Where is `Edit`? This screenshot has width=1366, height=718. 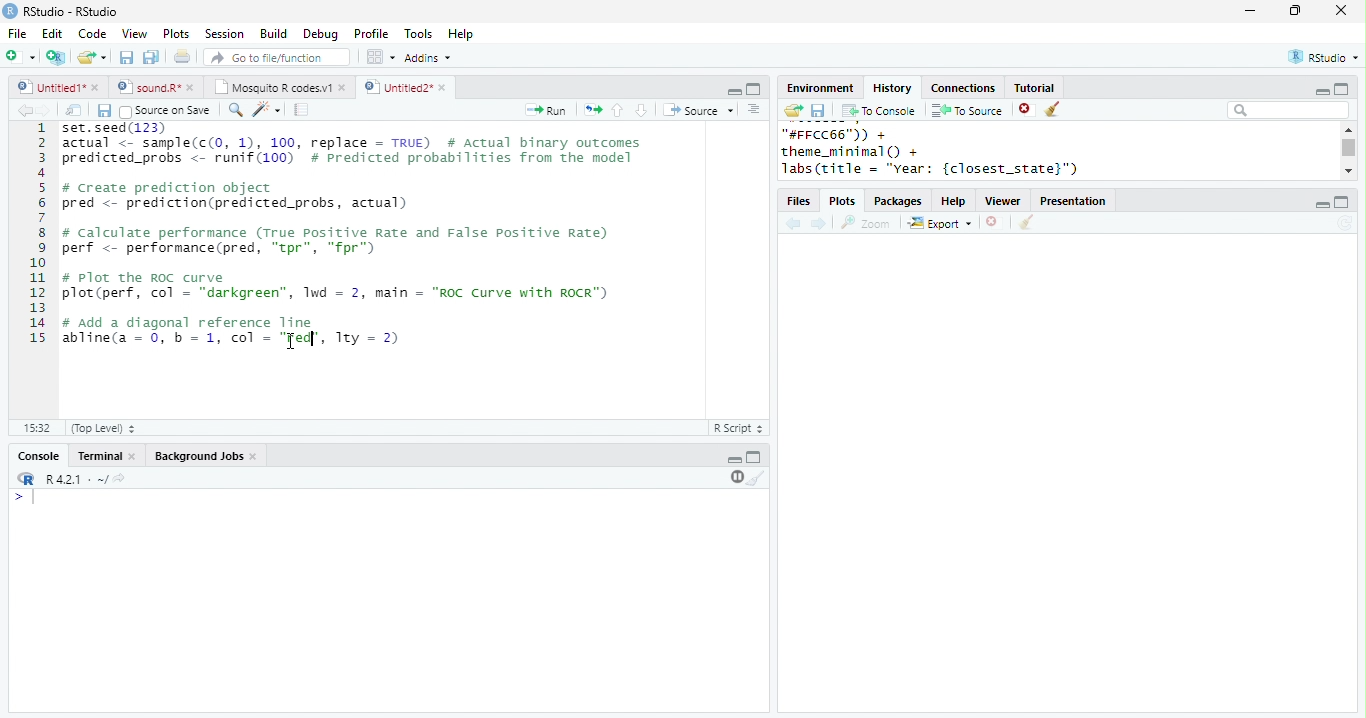 Edit is located at coordinates (52, 34).